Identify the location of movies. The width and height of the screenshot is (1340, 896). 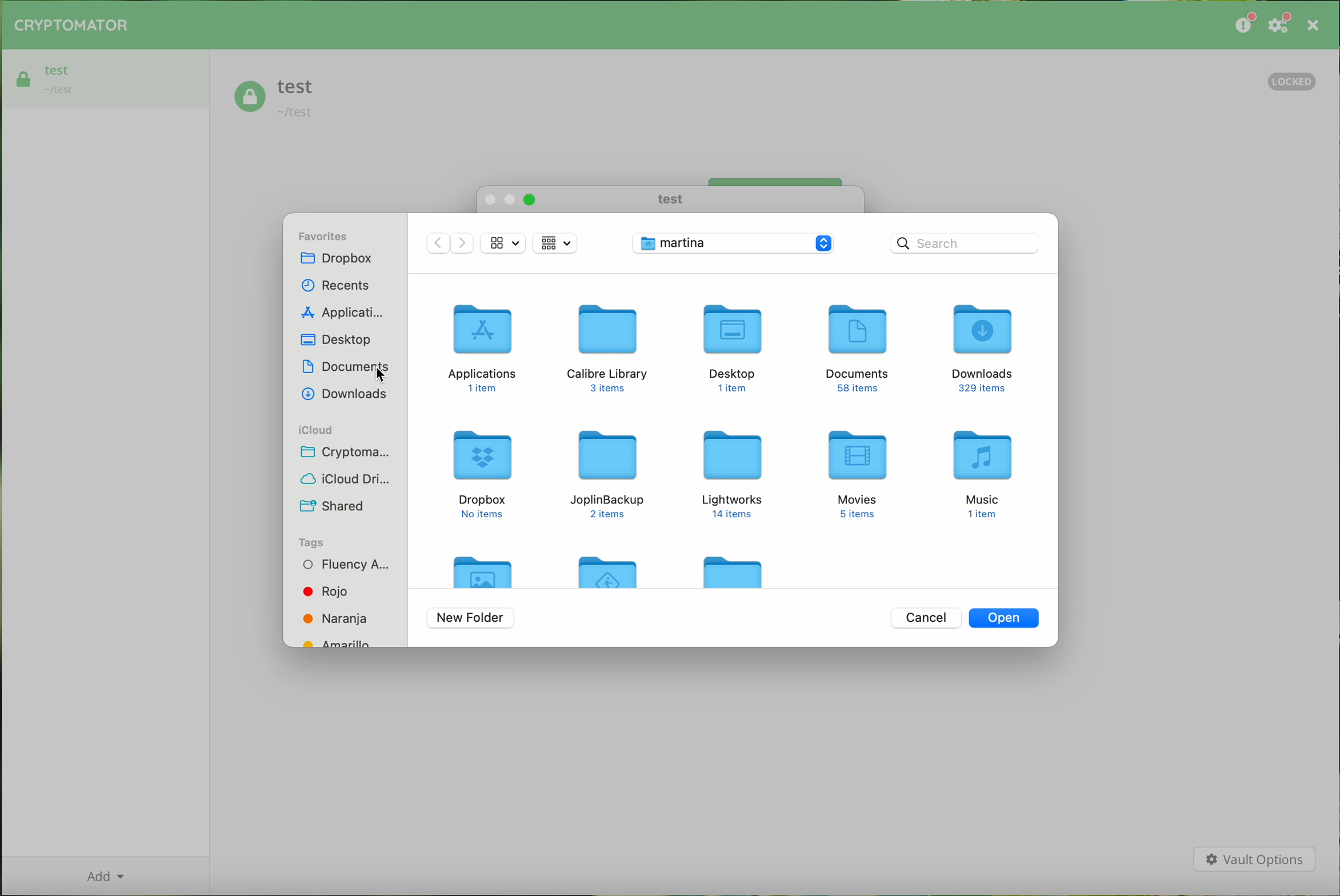
(860, 474).